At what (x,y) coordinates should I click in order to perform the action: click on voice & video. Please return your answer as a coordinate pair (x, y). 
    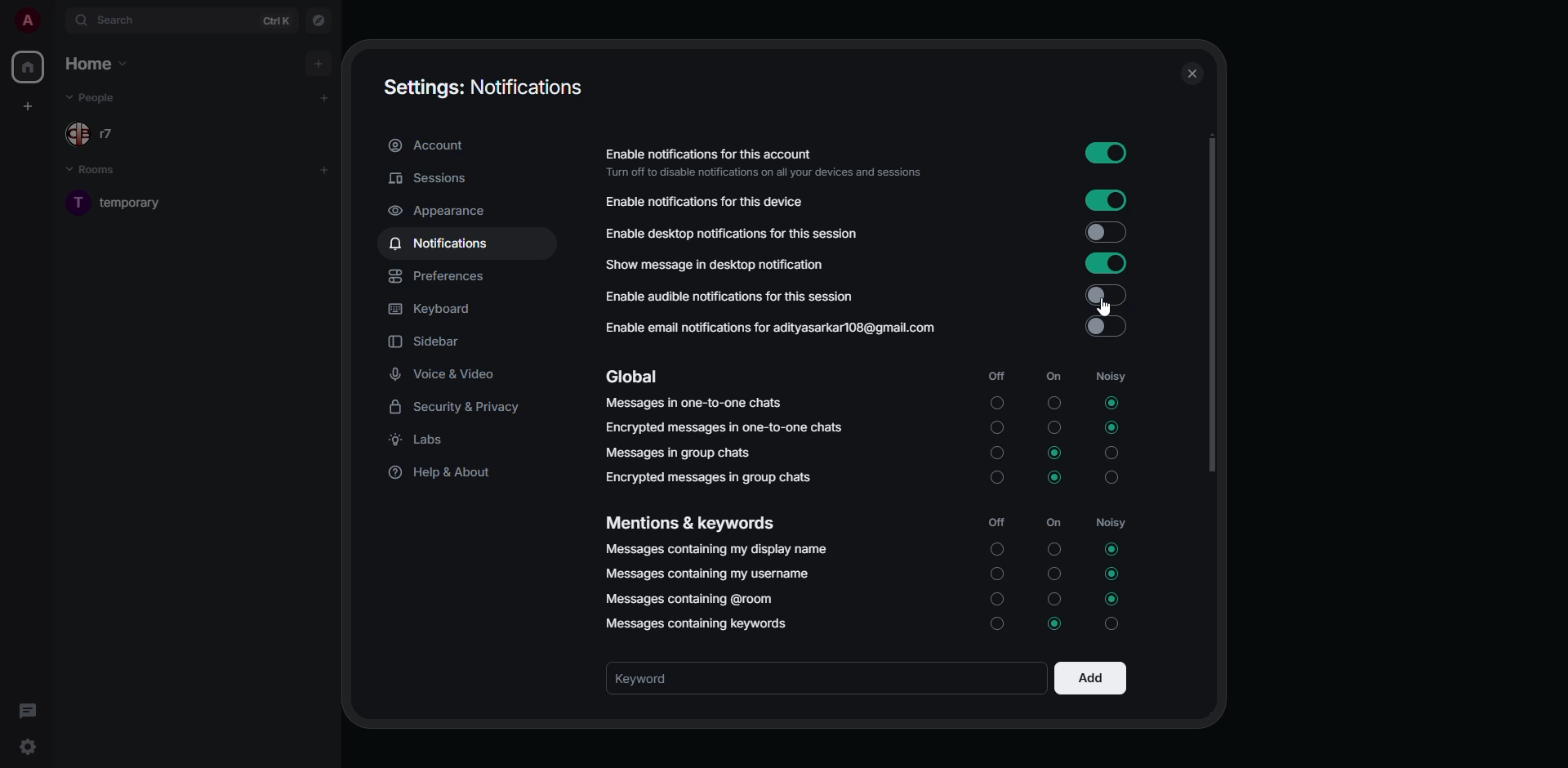
    Looking at the image, I should click on (443, 375).